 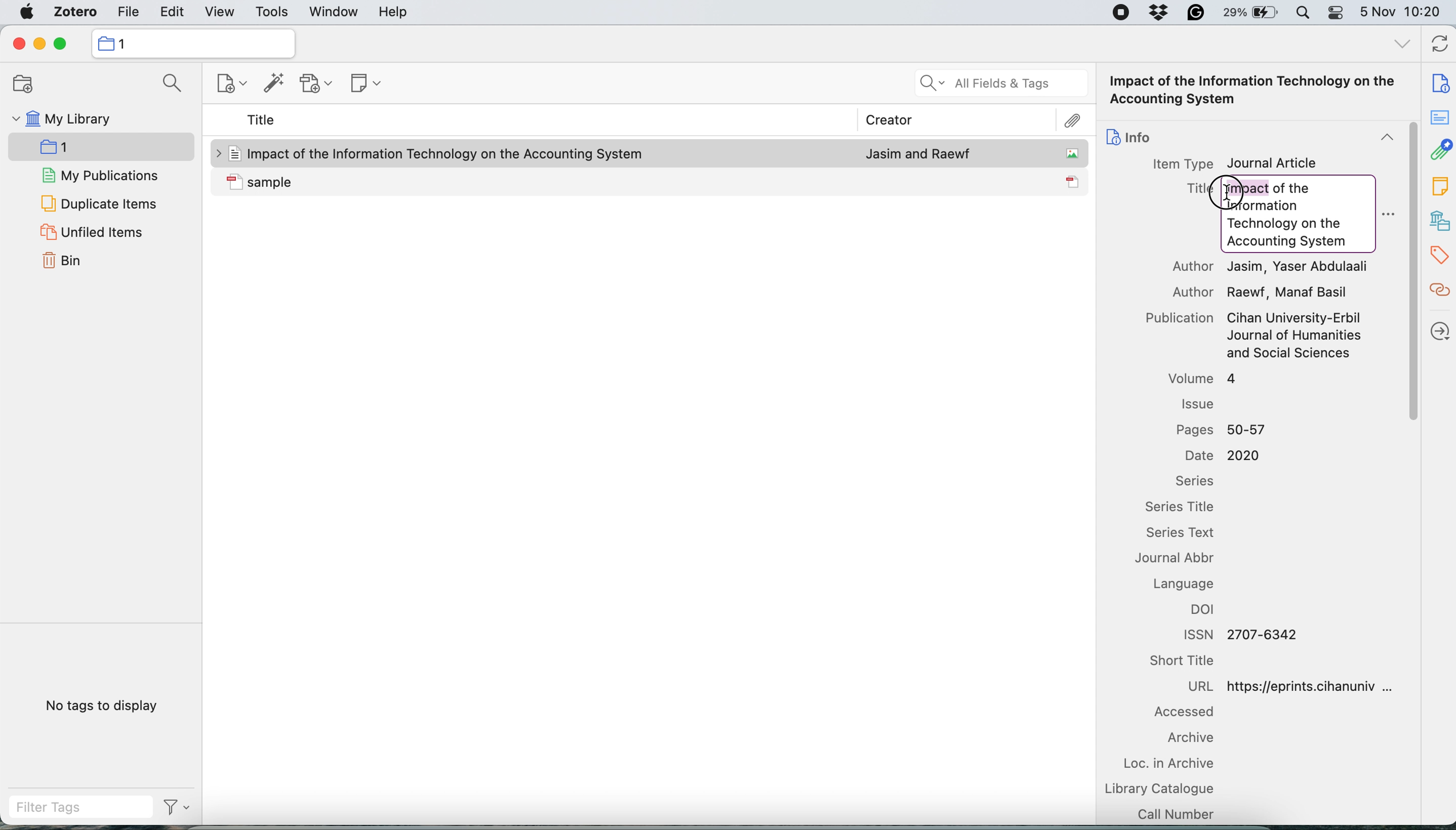 I want to click on icon, so click(x=1113, y=136).